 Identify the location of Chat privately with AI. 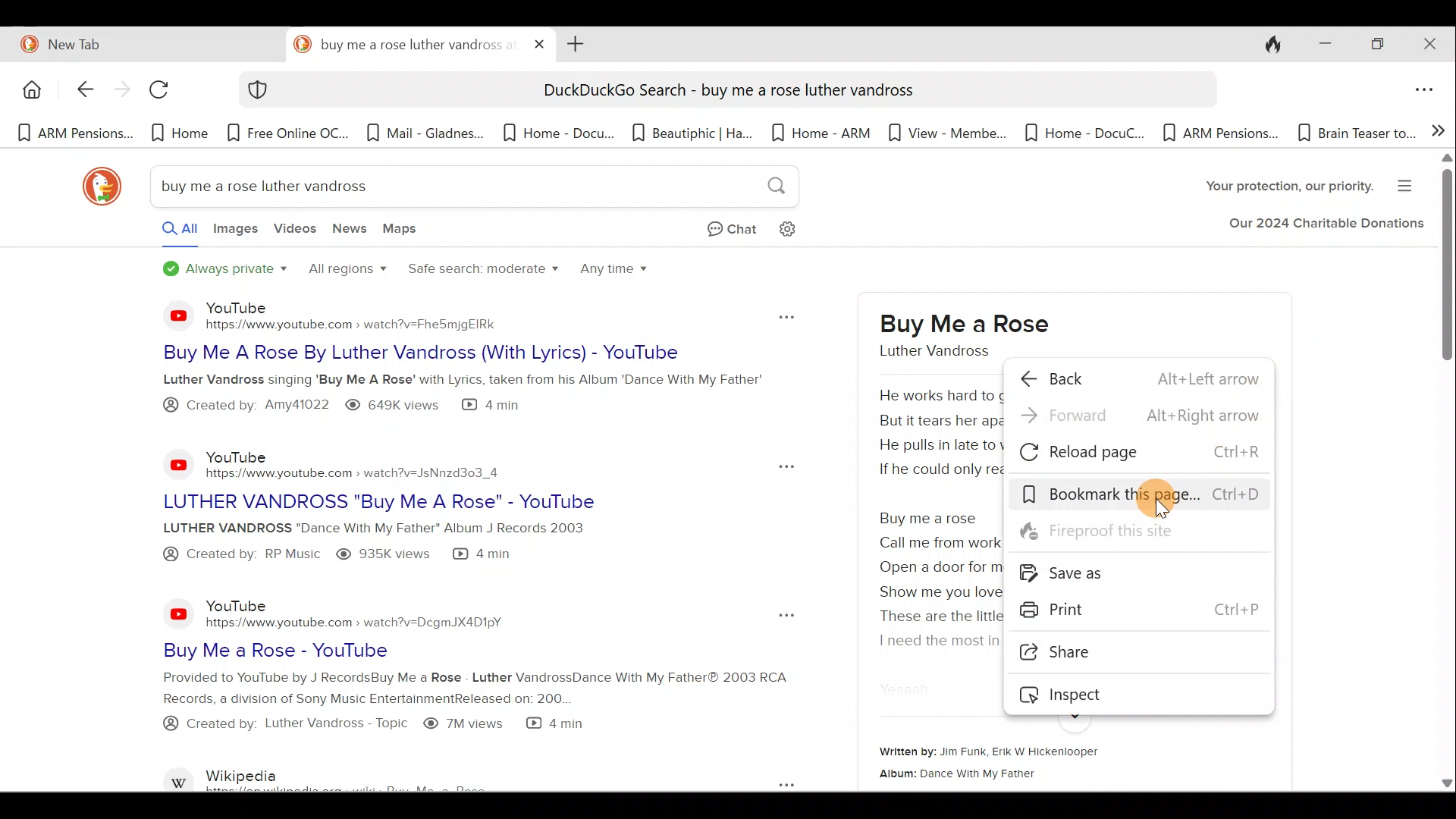
(720, 231).